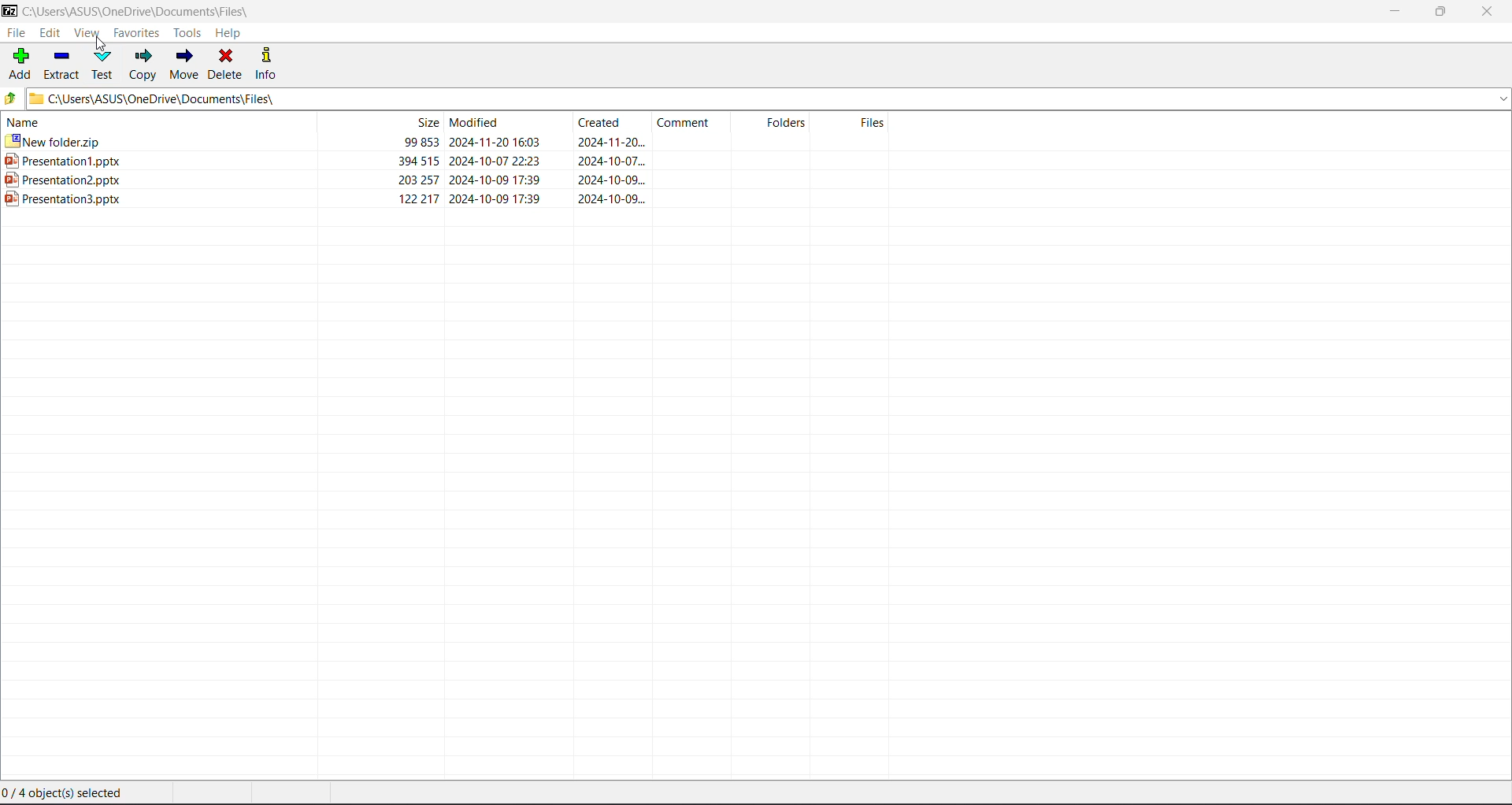  I want to click on Move Up one level, so click(11, 100).